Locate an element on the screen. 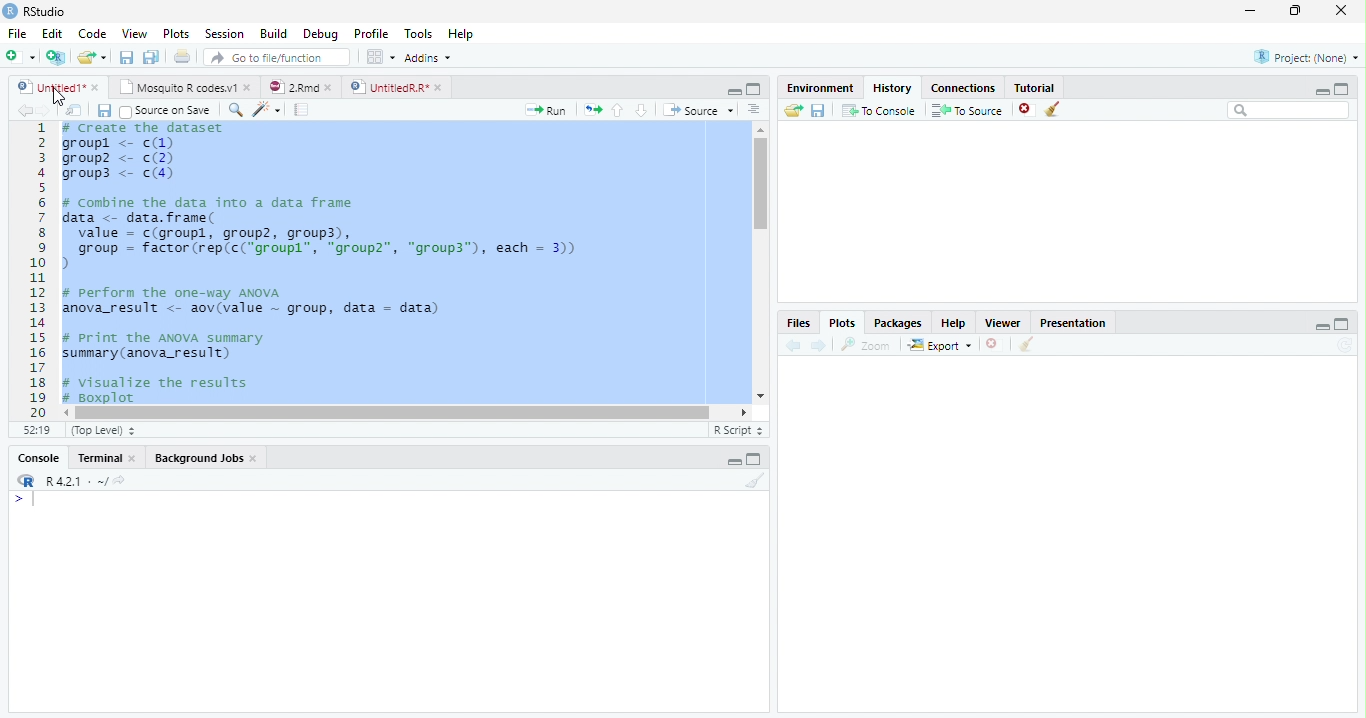  Clear objects from the workspace is located at coordinates (1051, 106).